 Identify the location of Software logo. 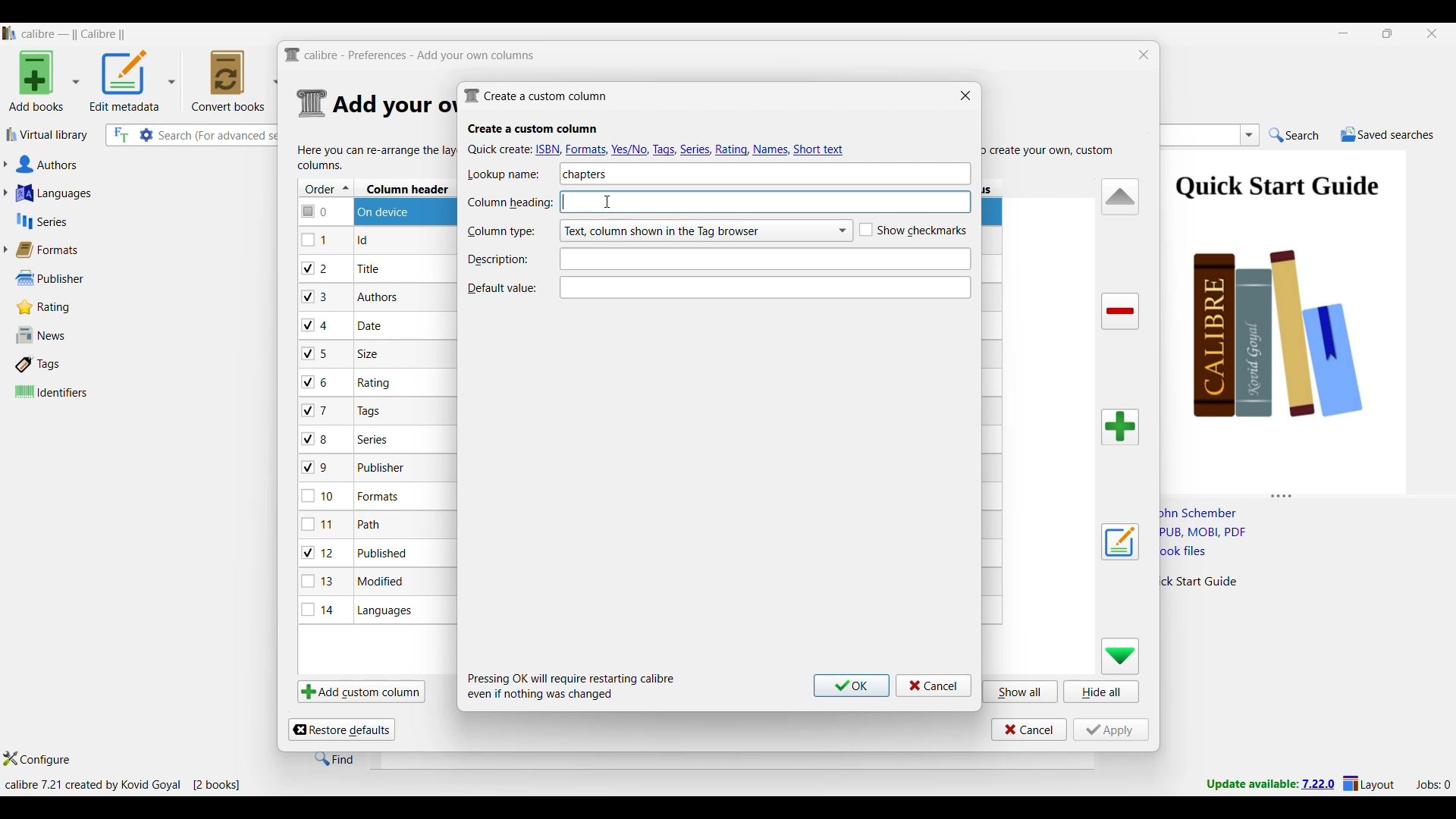
(10, 33).